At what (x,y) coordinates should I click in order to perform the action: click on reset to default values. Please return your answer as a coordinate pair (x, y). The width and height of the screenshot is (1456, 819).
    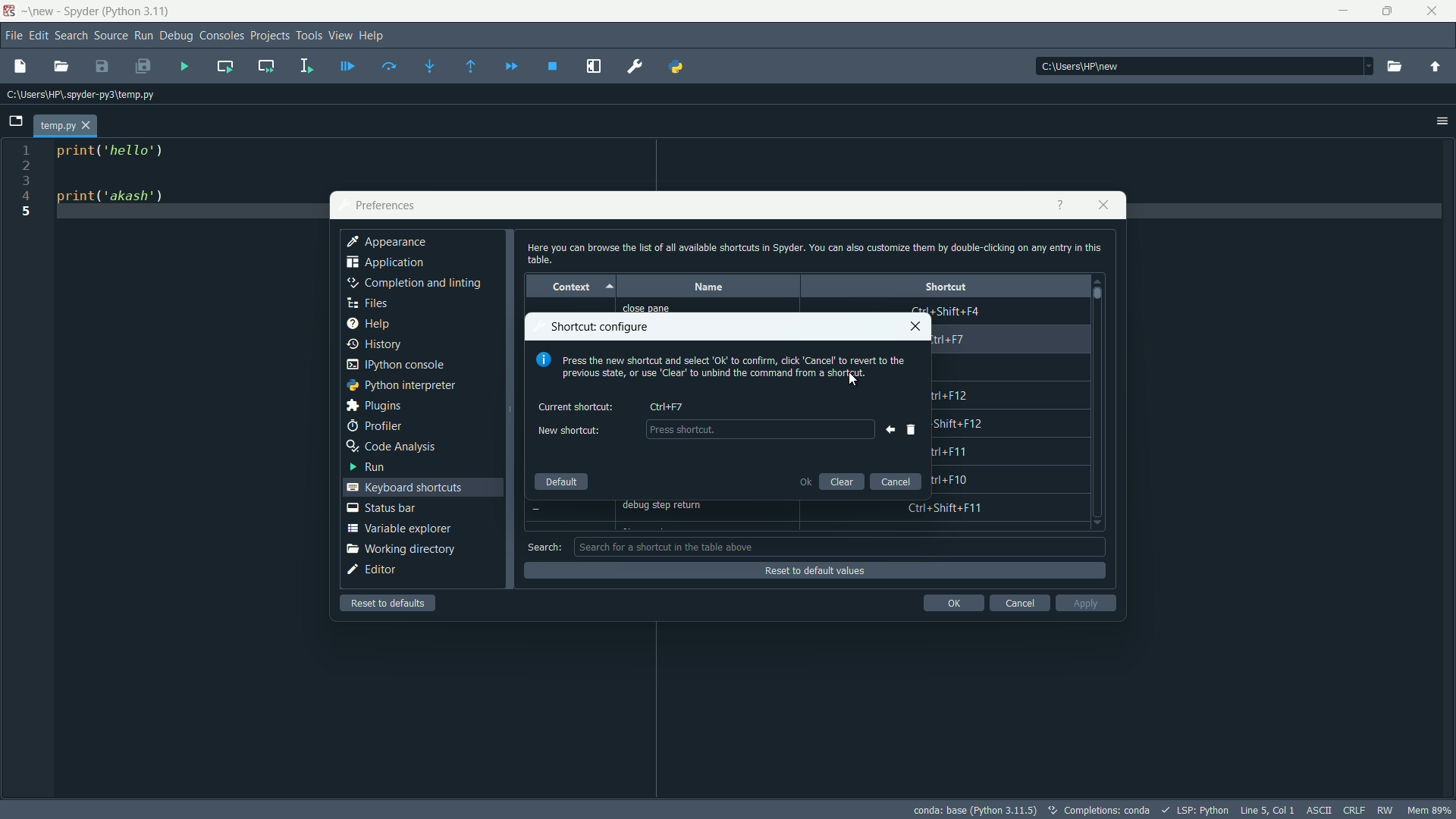
    Looking at the image, I should click on (812, 571).